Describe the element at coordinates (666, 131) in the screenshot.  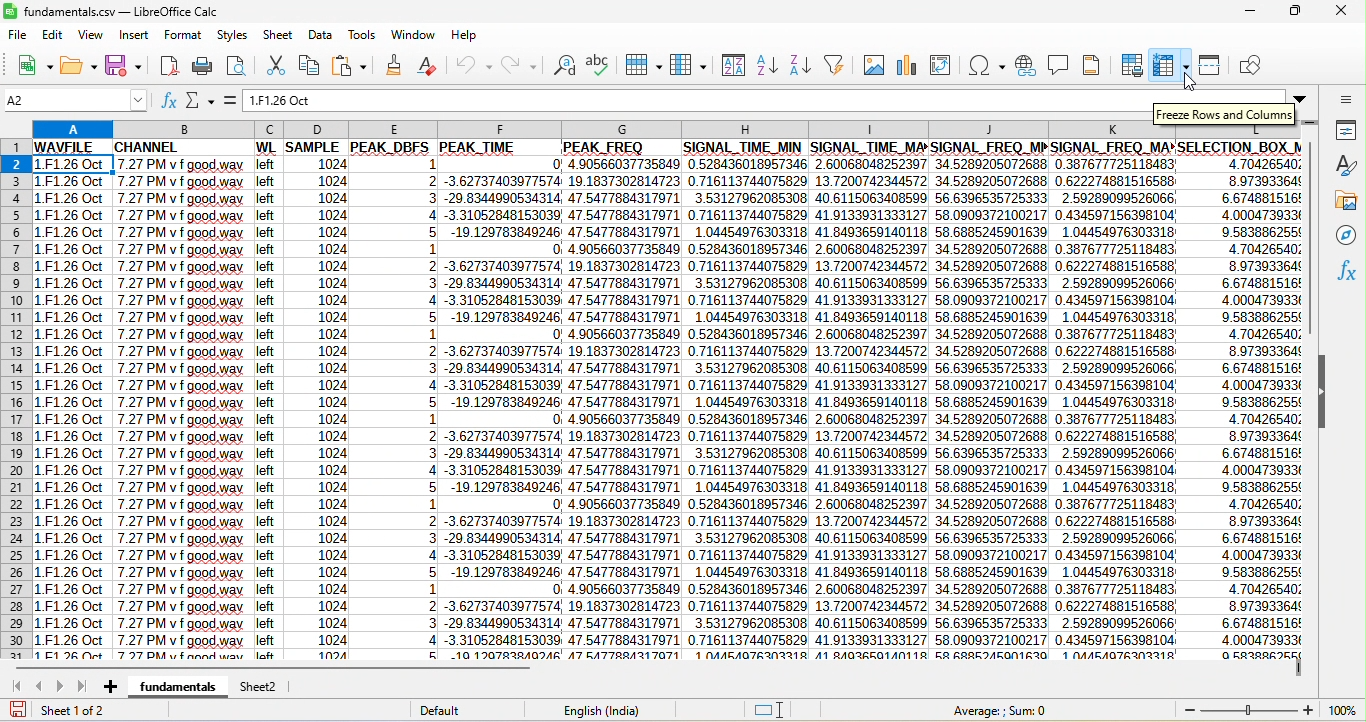
I see `column headings` at that location.